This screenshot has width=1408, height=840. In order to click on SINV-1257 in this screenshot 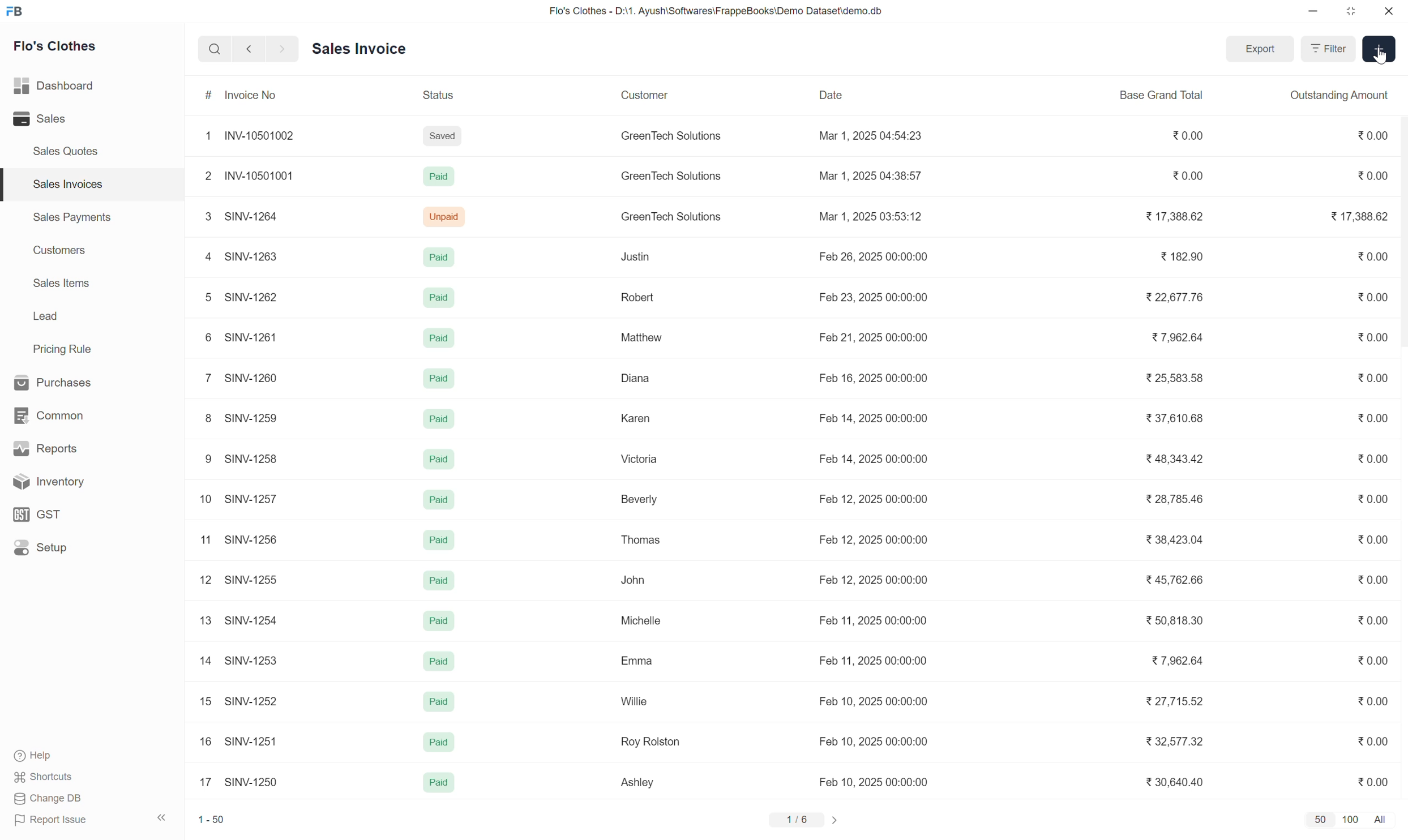, I will do `click(253, 500)`.